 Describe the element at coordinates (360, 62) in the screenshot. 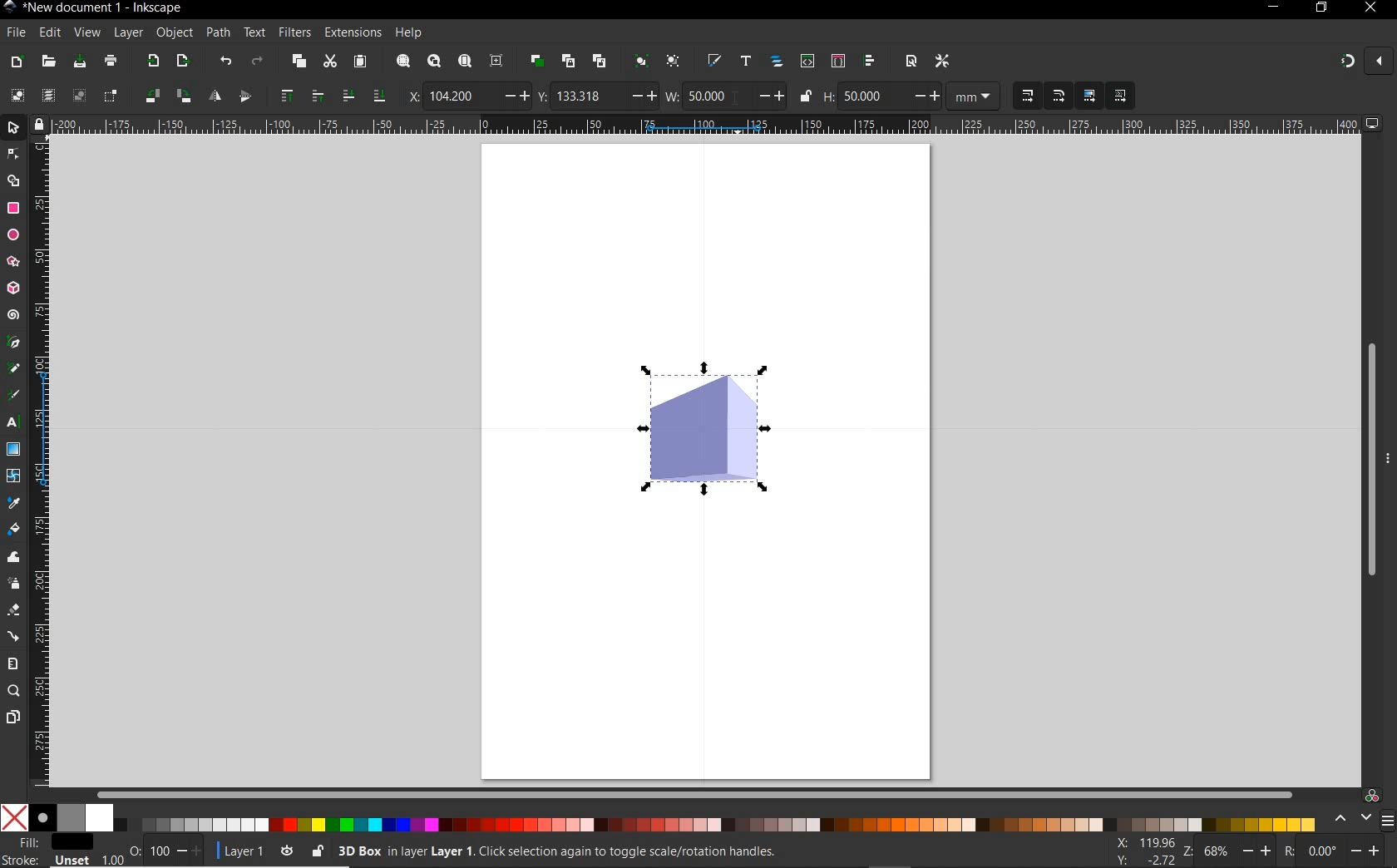

I see `paste` at that location.